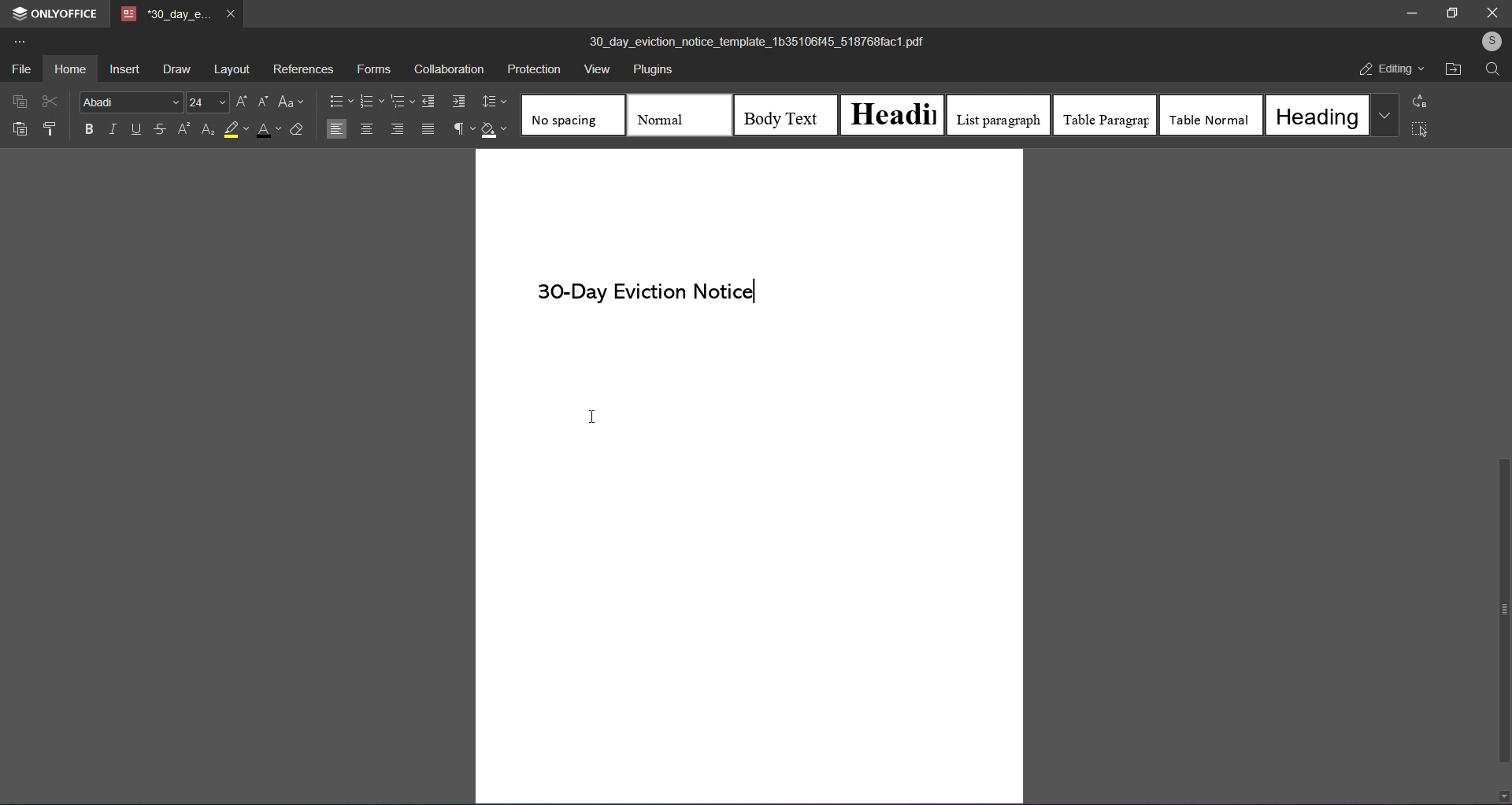  What do you see at coordinates (135, 128) in the screenshot?
I see `underline` at bounding box center [135, 128].